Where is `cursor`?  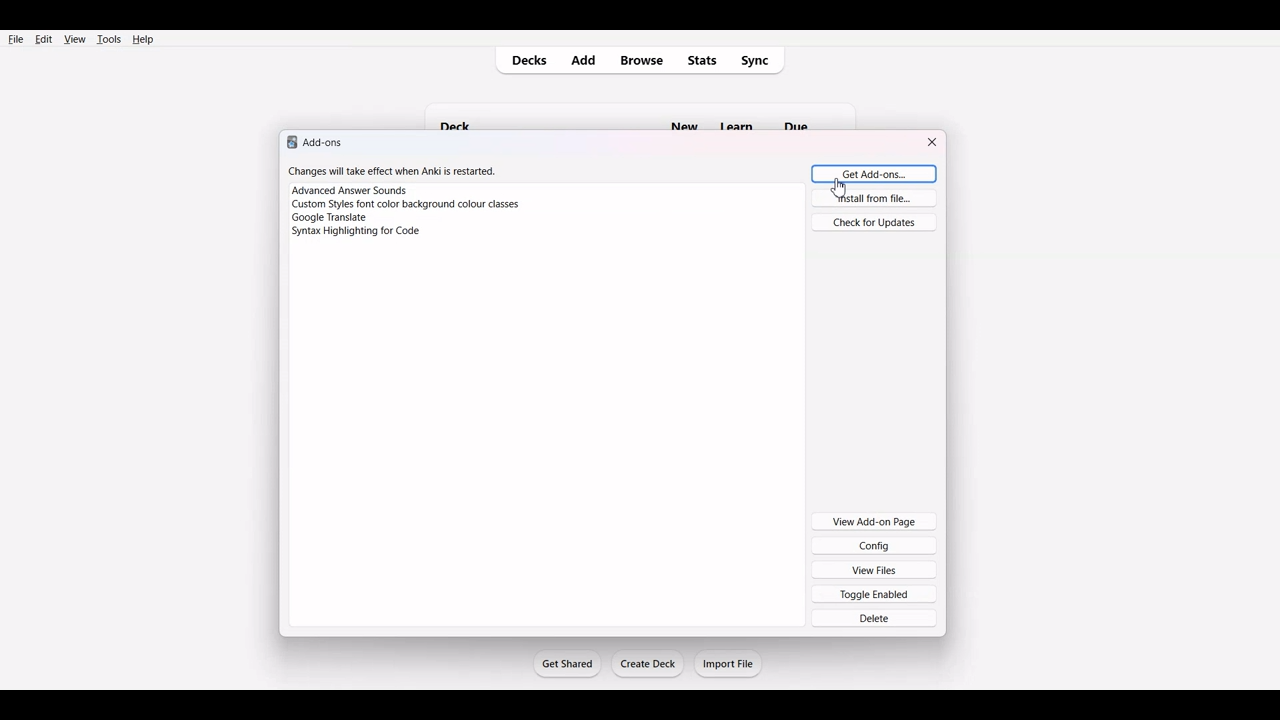
cursor is located at coordinates (842, 188).